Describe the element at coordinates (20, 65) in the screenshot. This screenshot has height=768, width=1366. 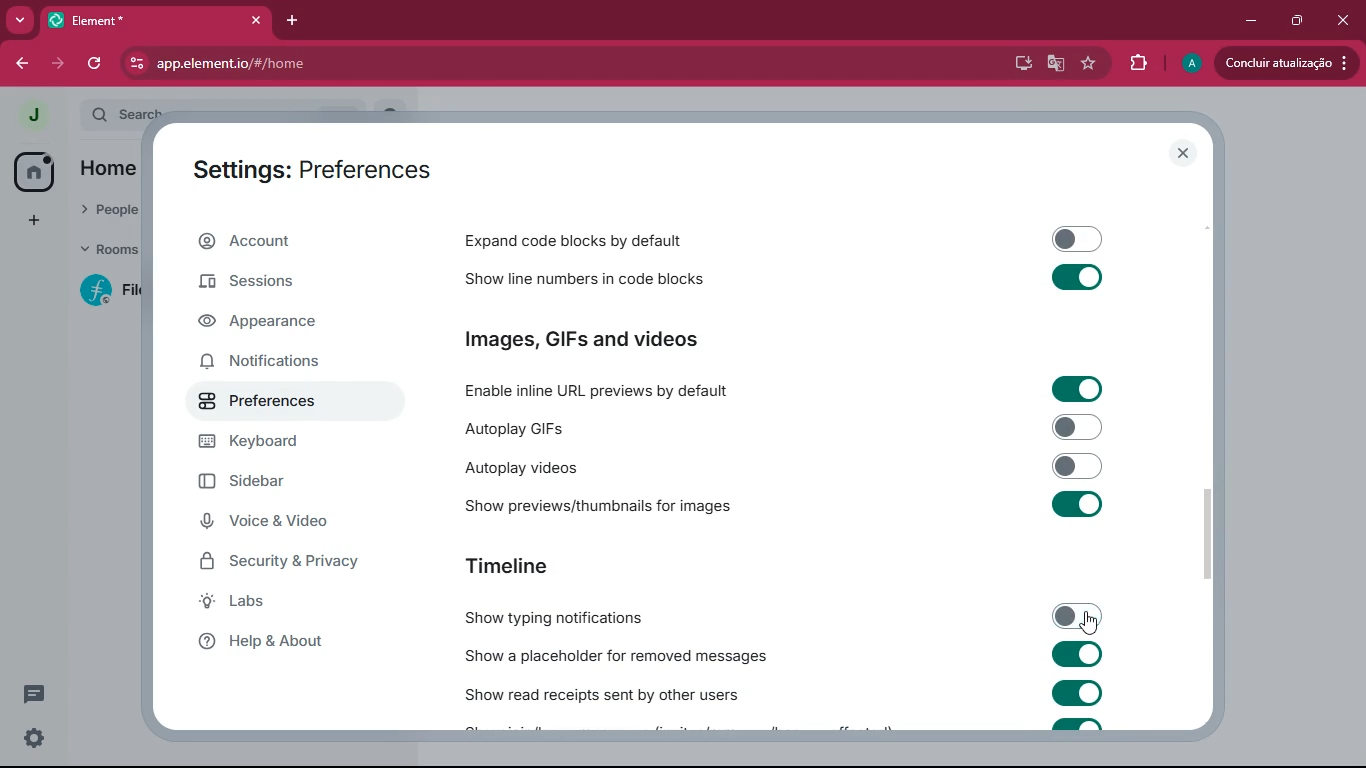
I see `forward` at that location.